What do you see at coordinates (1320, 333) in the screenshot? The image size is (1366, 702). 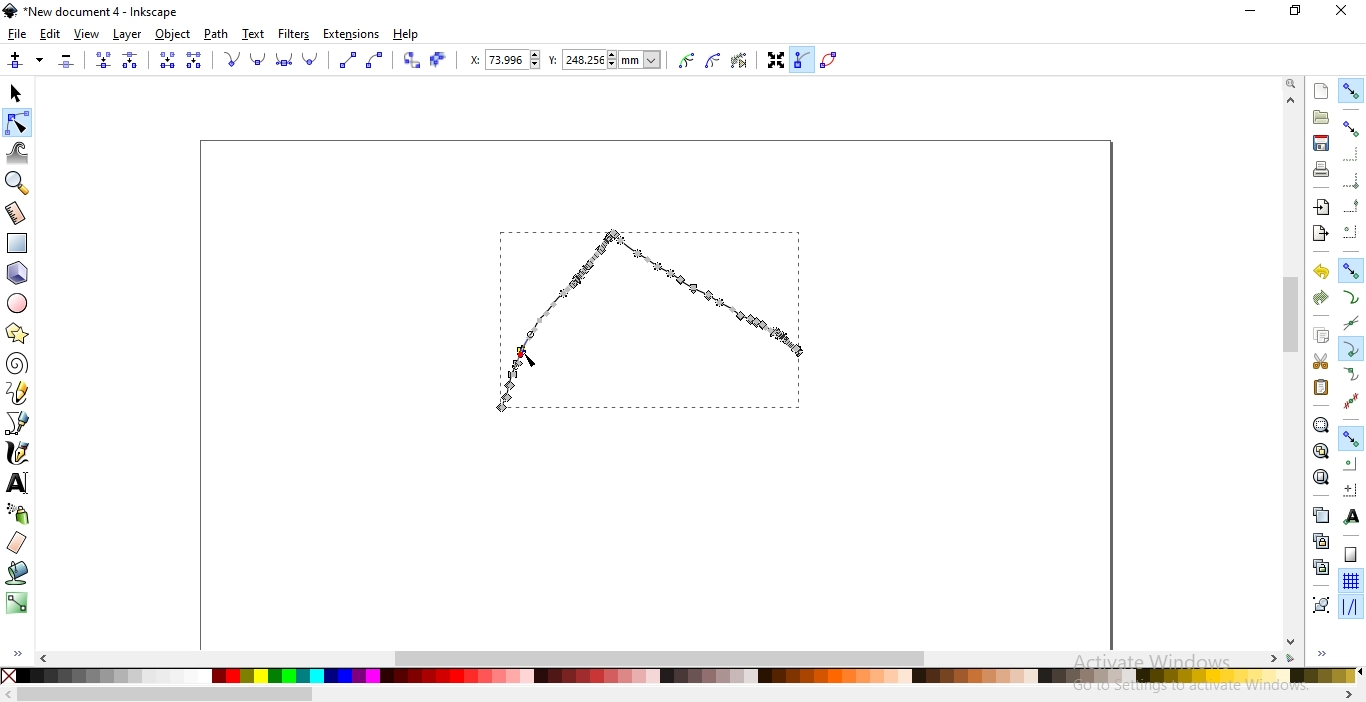 I see `copy` at bounding box center [1320, 333].